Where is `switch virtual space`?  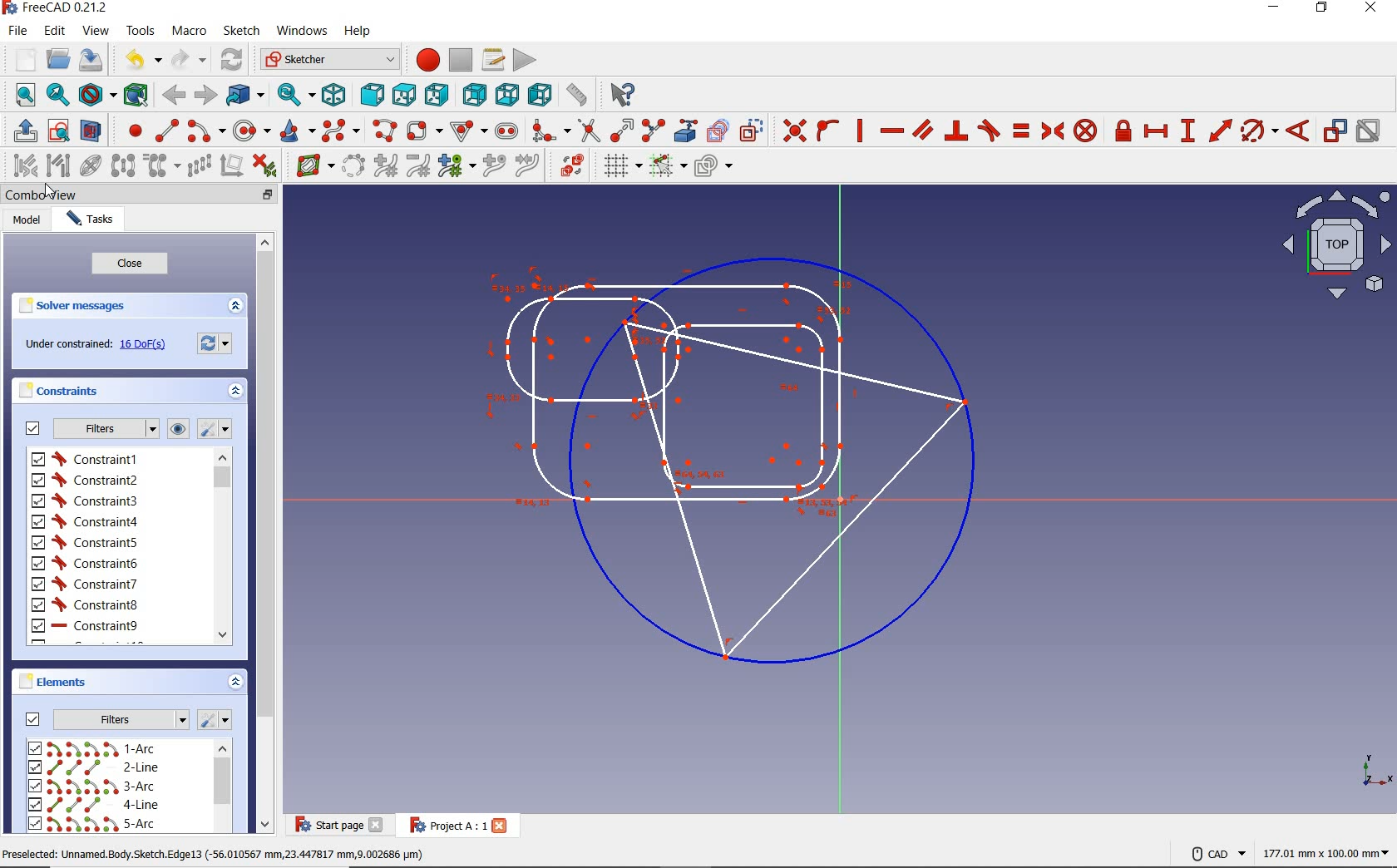
switch virtual space is located at coordinates (565, 165).